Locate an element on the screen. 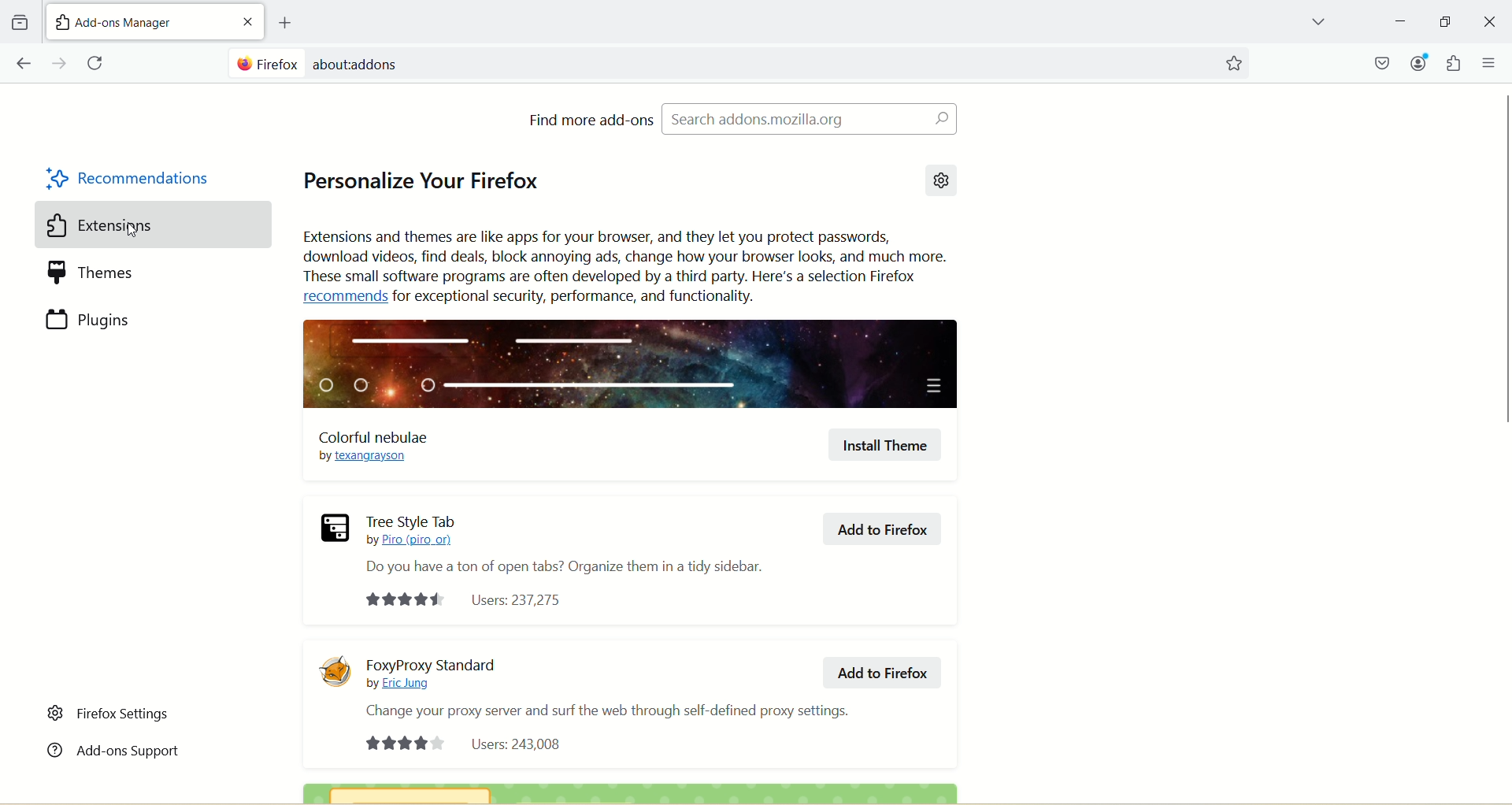  Recommendation is located at coordinates (130, 180).